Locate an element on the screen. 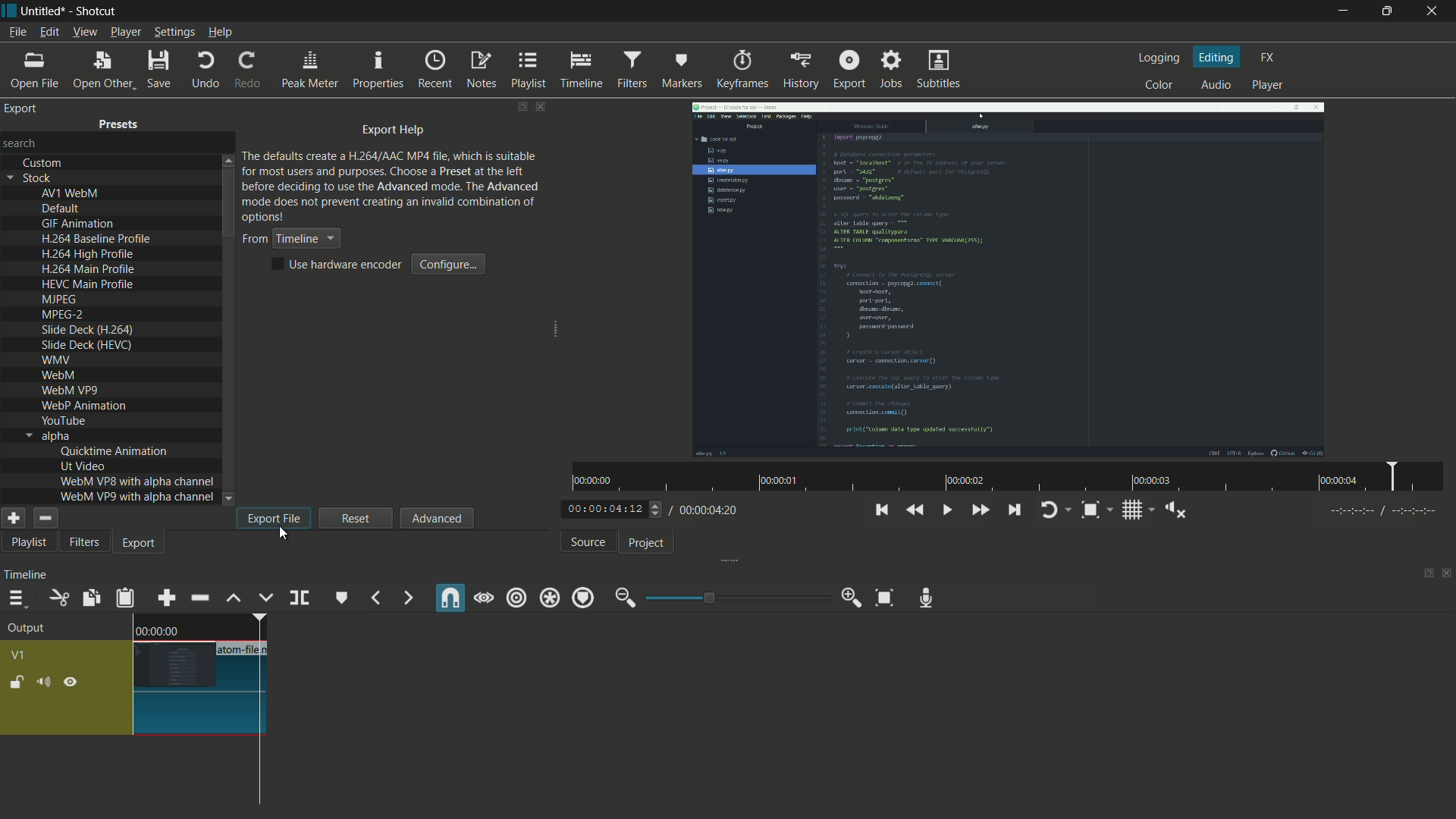 This screenshot has height=819, width=1456. total time is located at coordinates (709, 510).